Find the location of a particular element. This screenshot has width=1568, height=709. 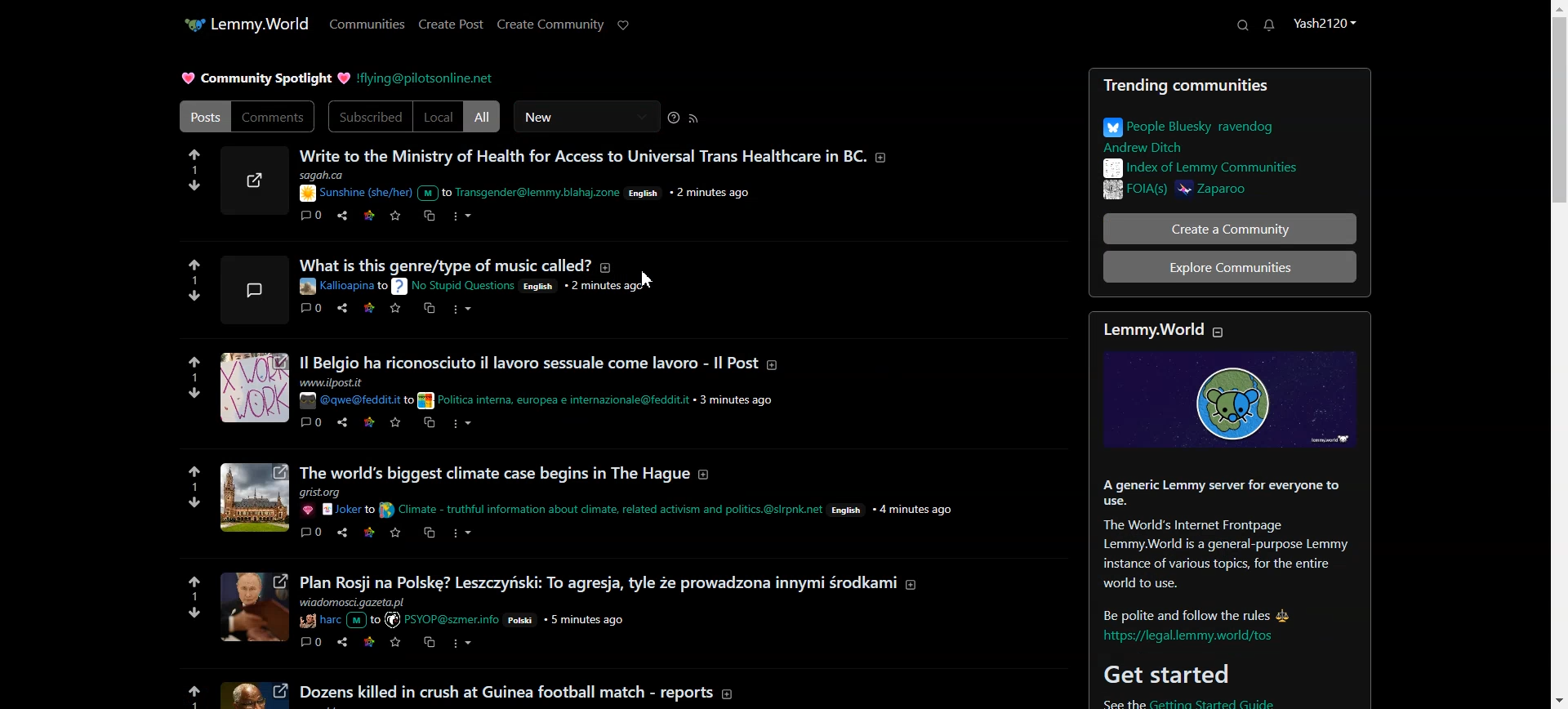

about is located at coordinates (906, 267).